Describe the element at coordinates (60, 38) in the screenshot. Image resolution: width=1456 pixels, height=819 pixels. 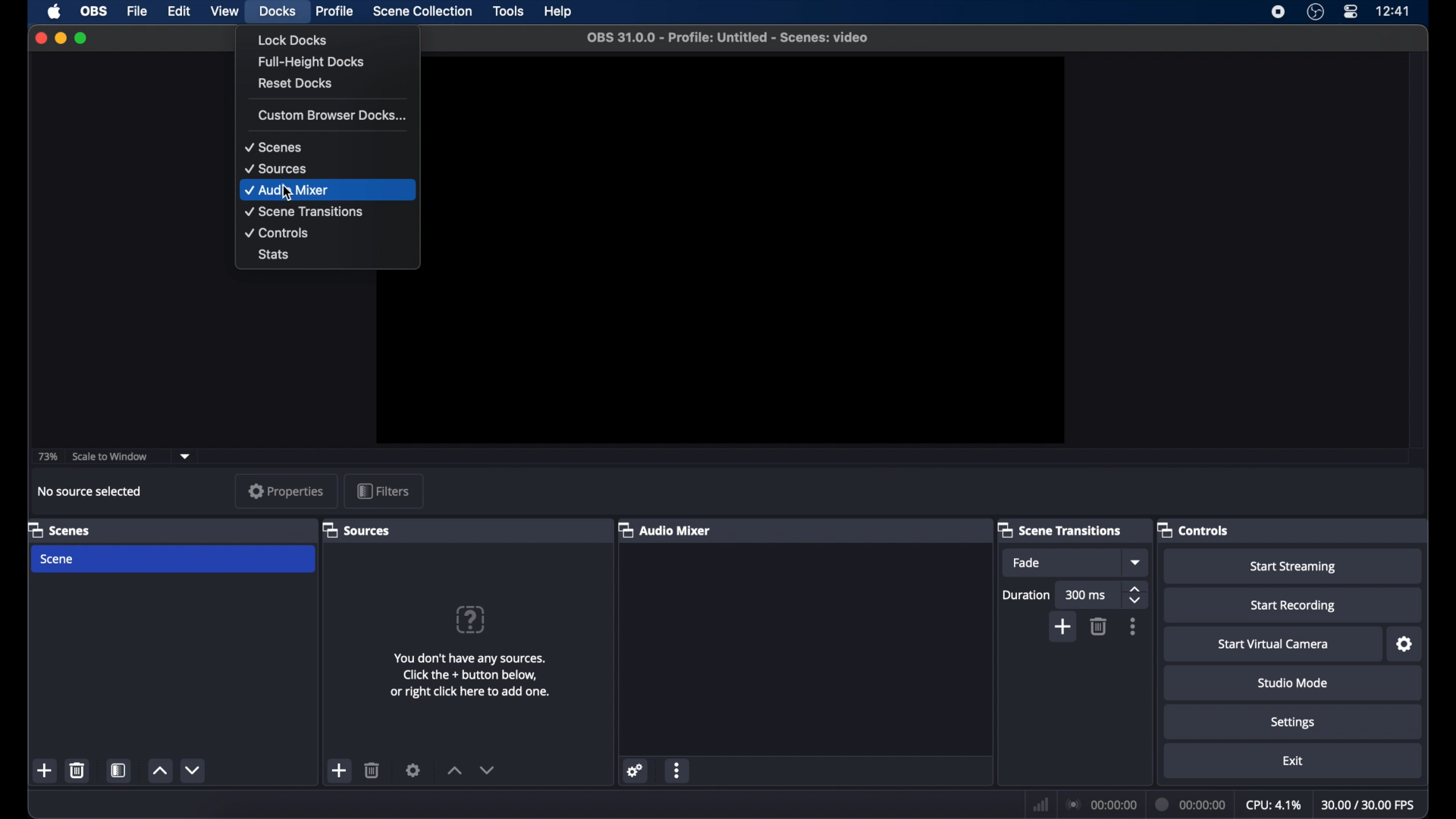
I see `minimize` at that location.